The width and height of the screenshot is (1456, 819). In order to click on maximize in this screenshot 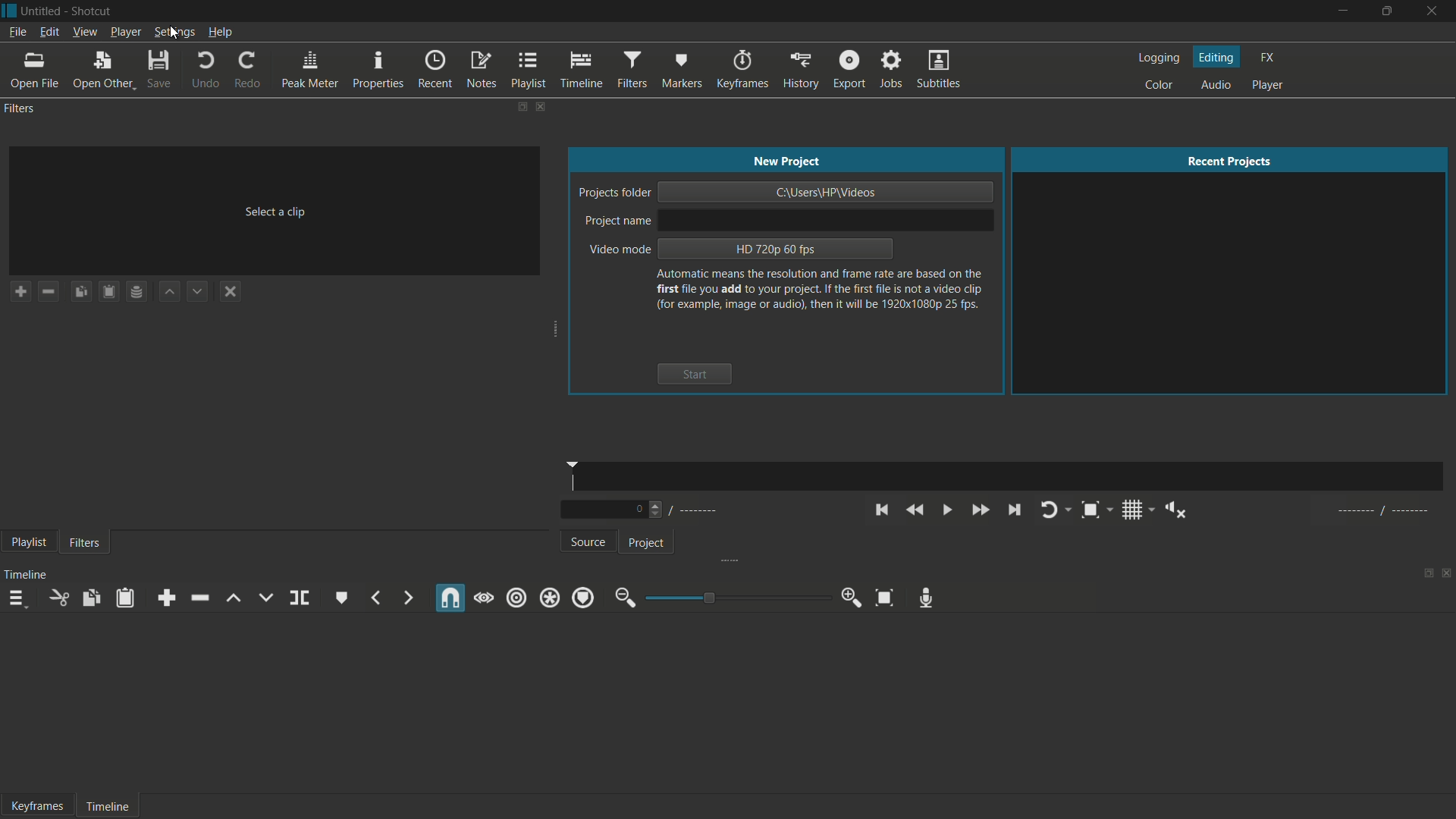, I will do `click(1385, 11)`.